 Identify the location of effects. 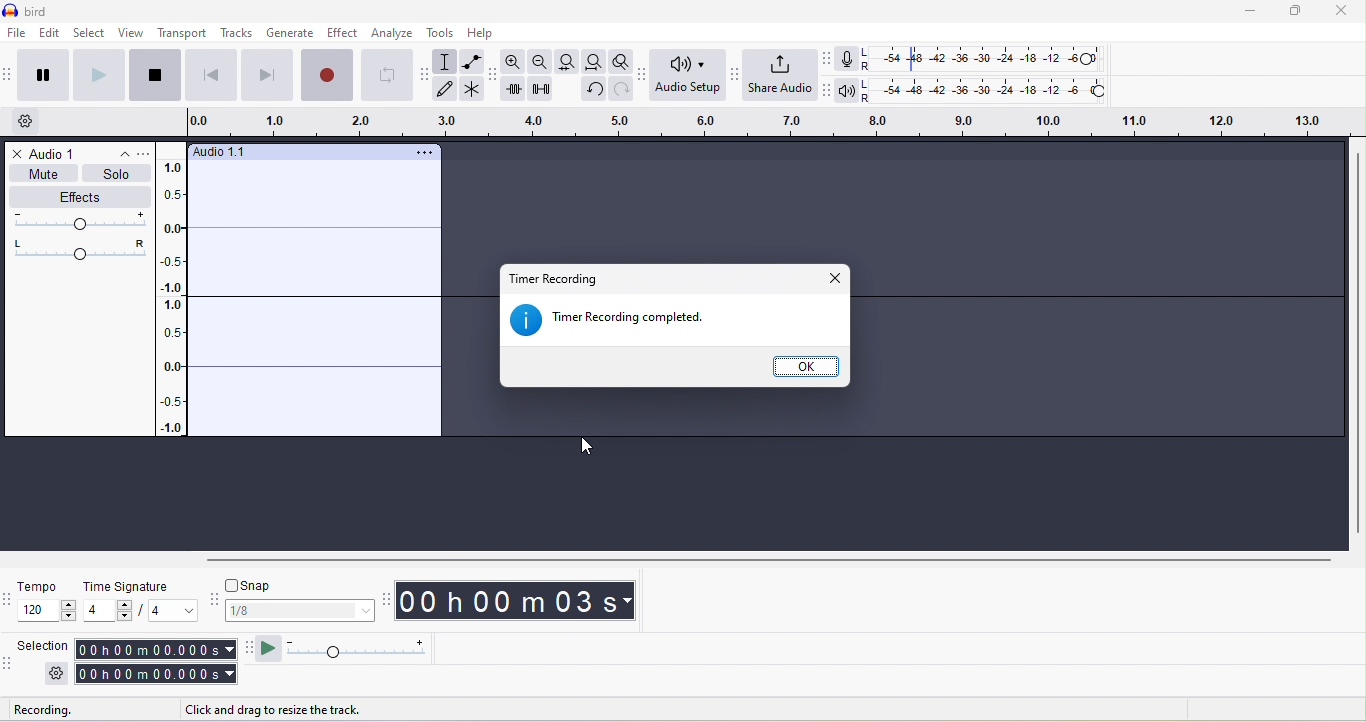
(79, 197).